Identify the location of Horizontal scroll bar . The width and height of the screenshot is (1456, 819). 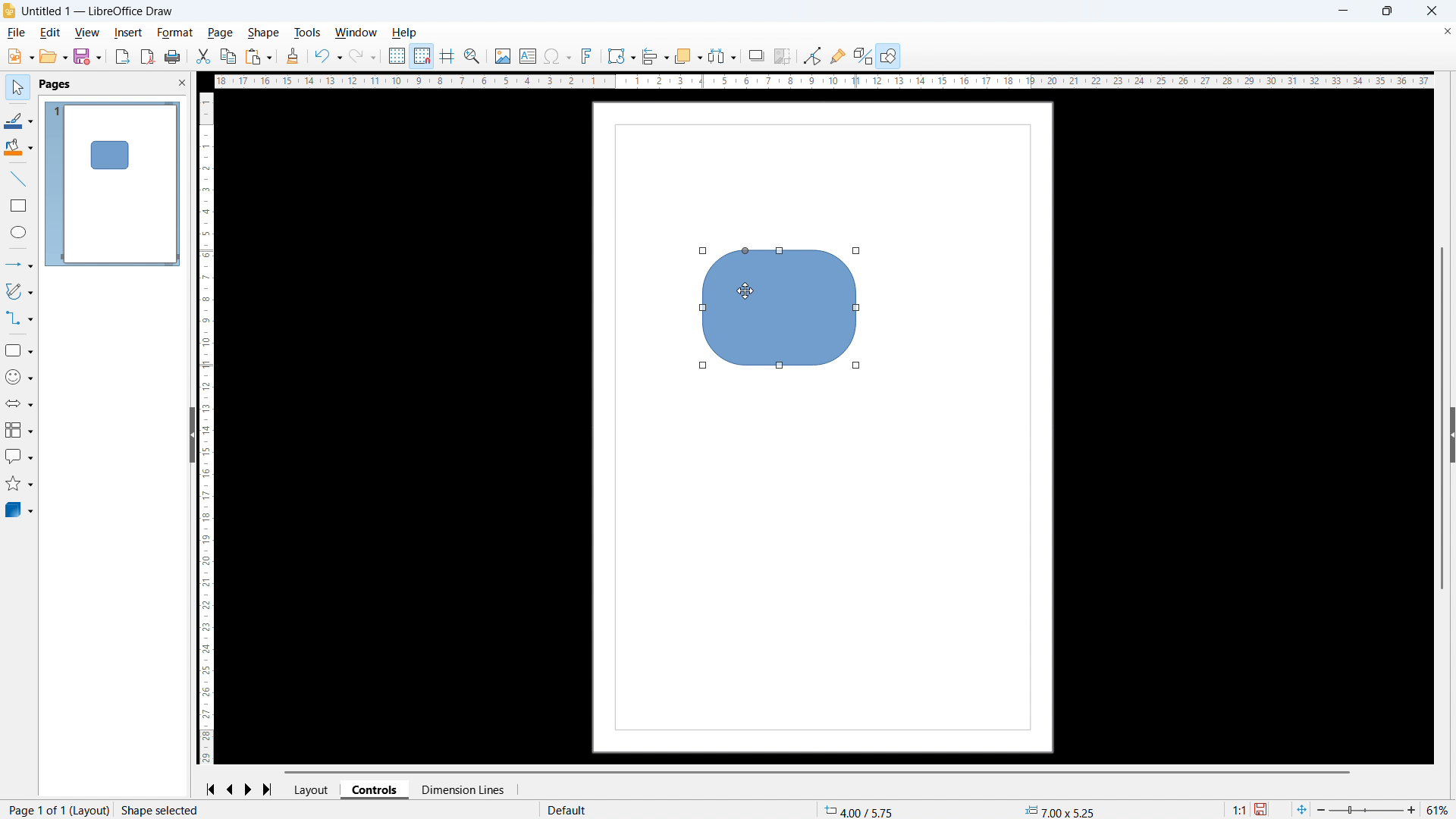
(818, 772).